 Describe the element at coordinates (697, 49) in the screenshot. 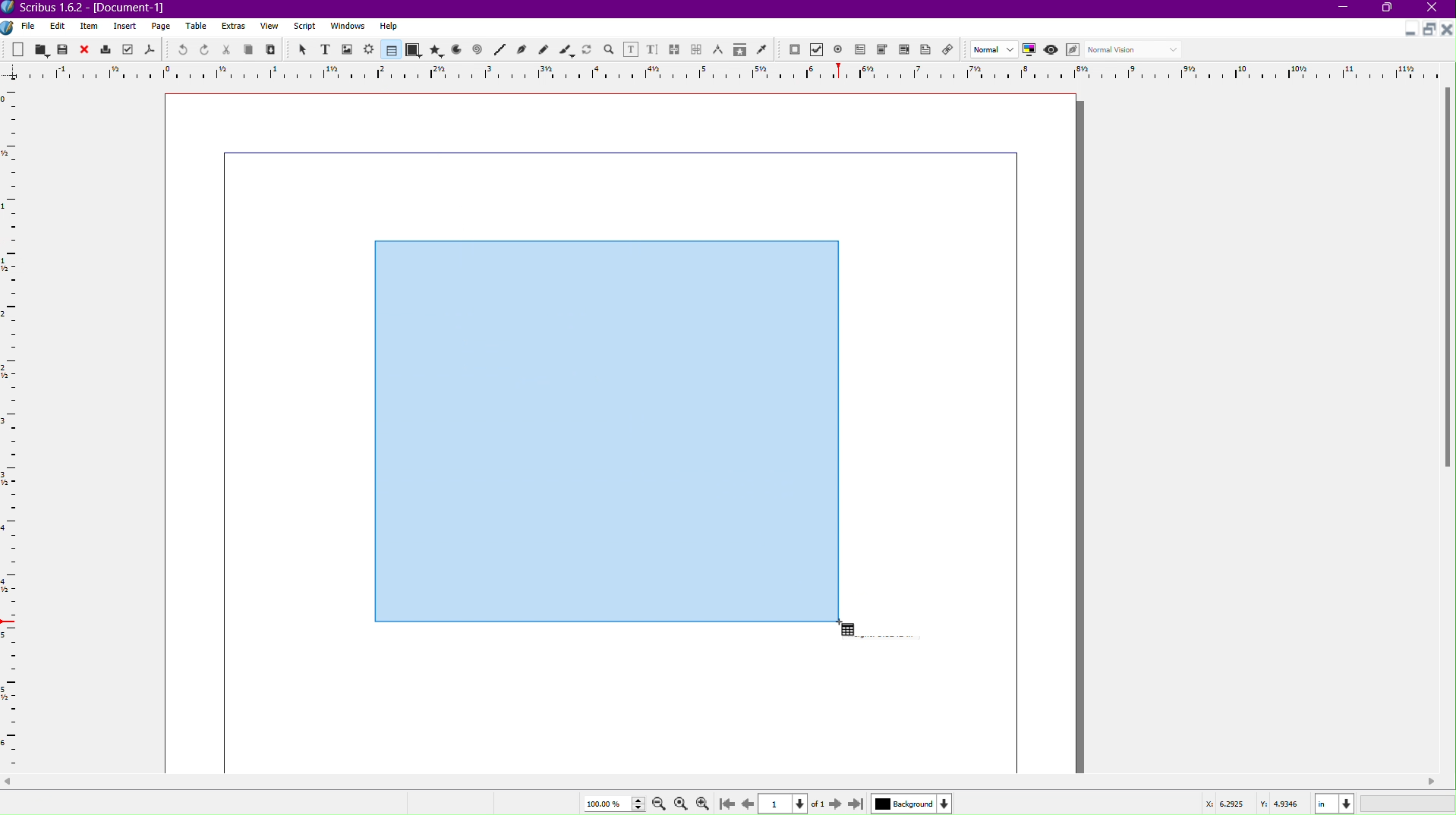

I see `Unlink Text Frames` at that location.